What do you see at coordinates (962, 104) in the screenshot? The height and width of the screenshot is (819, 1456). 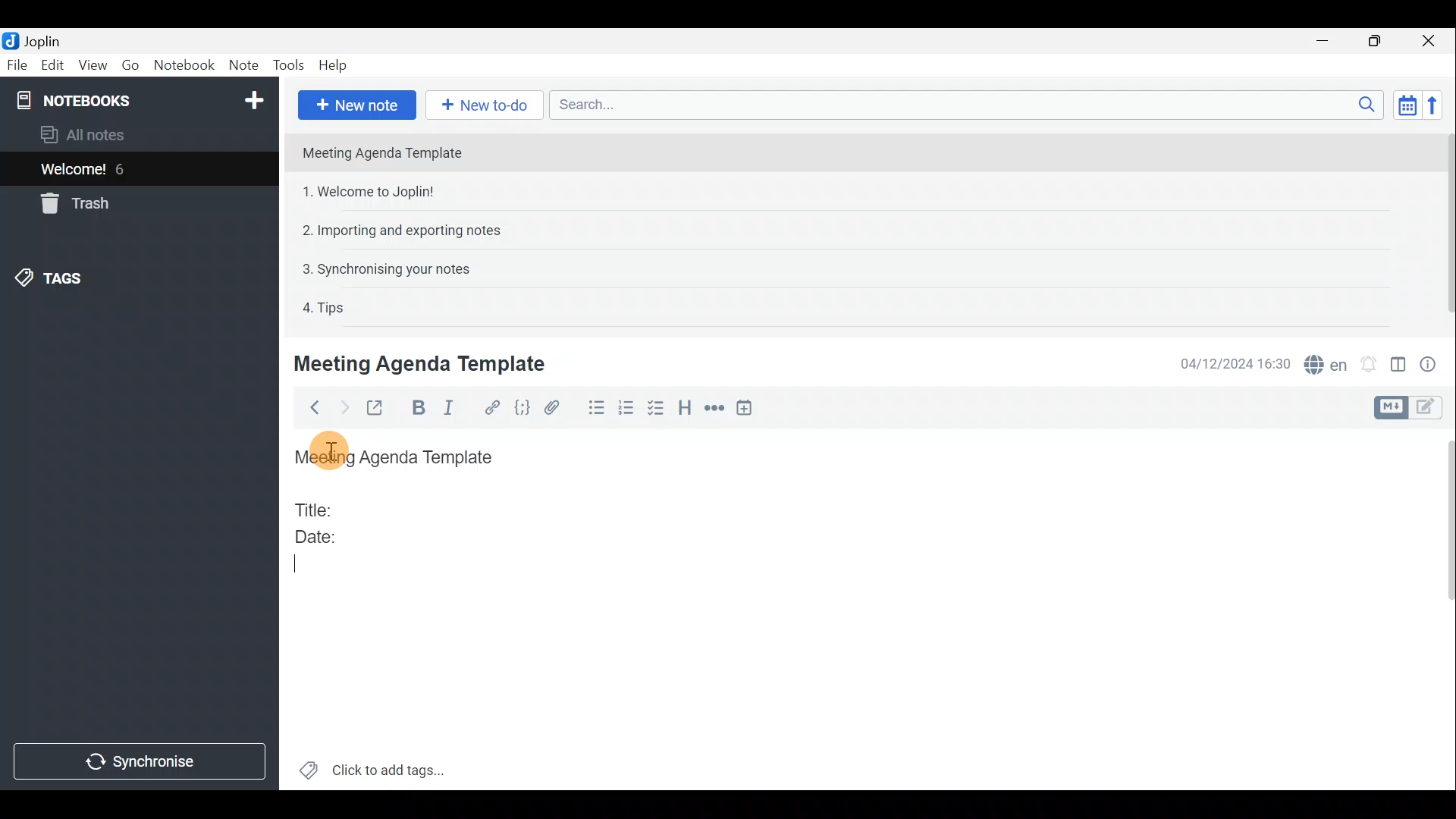 I see `Search bar` at bounding box center [962, 104].